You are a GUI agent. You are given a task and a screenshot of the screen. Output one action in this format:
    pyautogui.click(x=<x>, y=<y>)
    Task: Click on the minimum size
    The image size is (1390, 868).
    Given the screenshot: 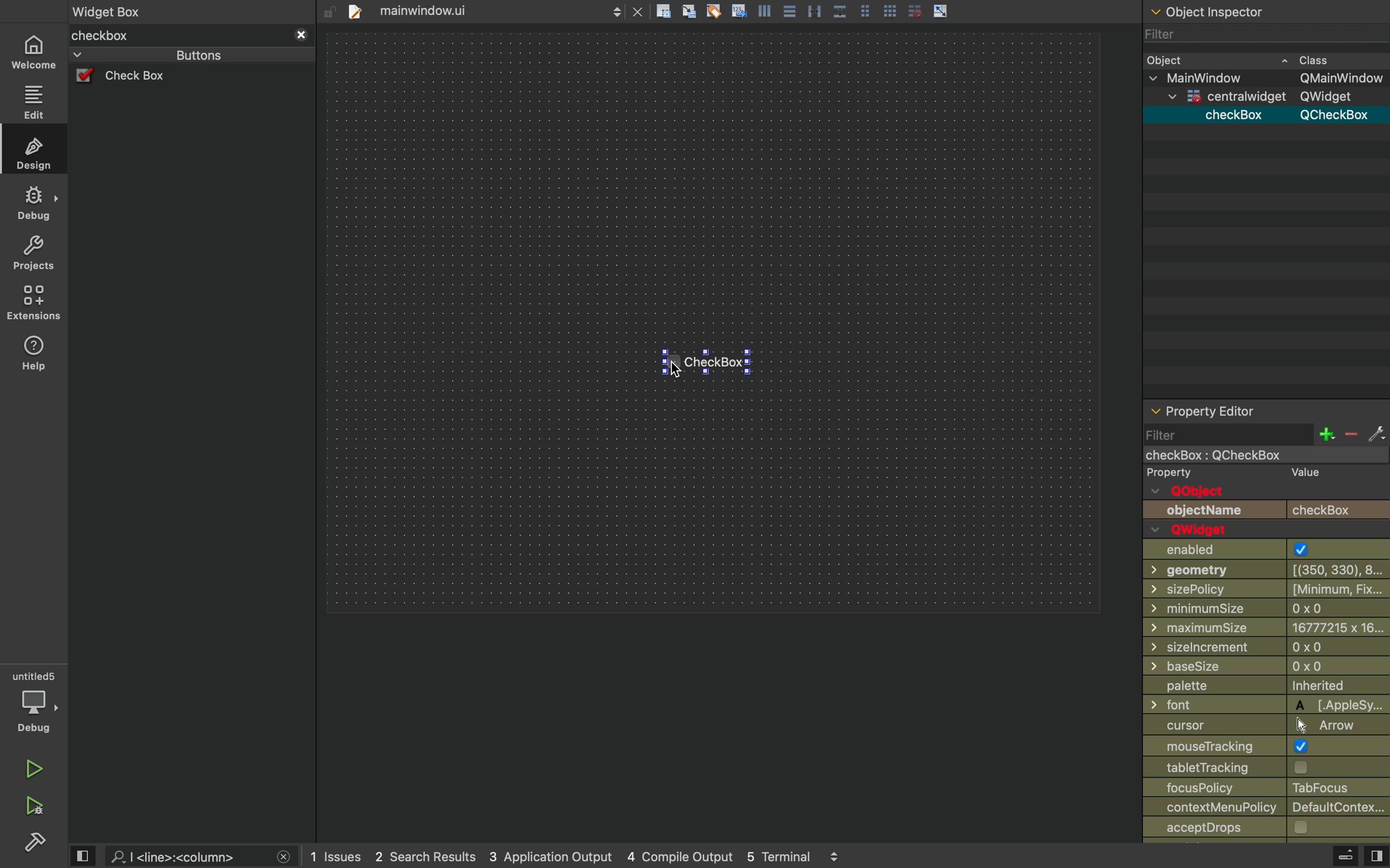 What is the action you would take?
    pyautogui.click(x=1240, y=609)
    